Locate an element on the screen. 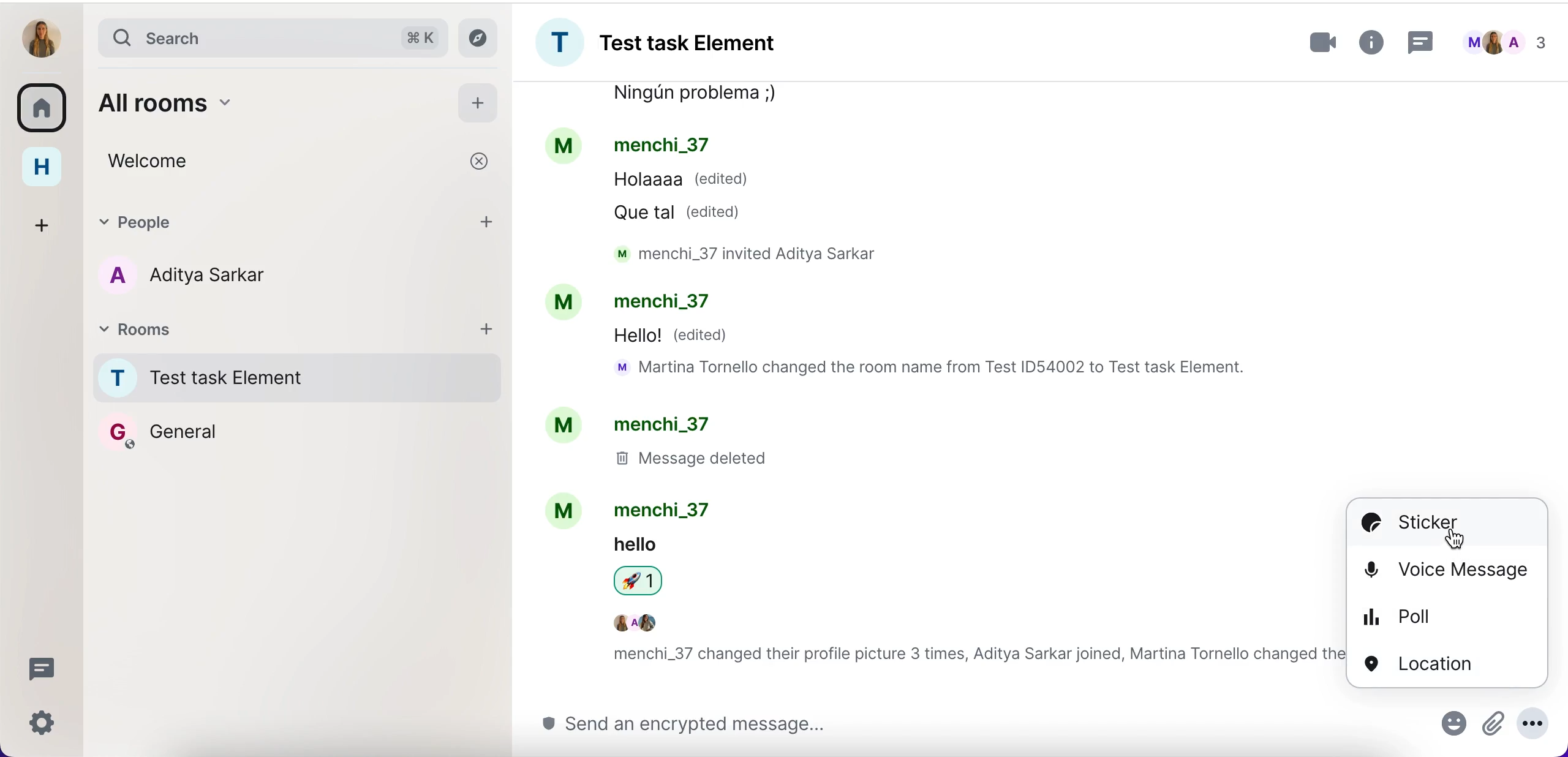  quick settings is located at coordinates (43, 723).